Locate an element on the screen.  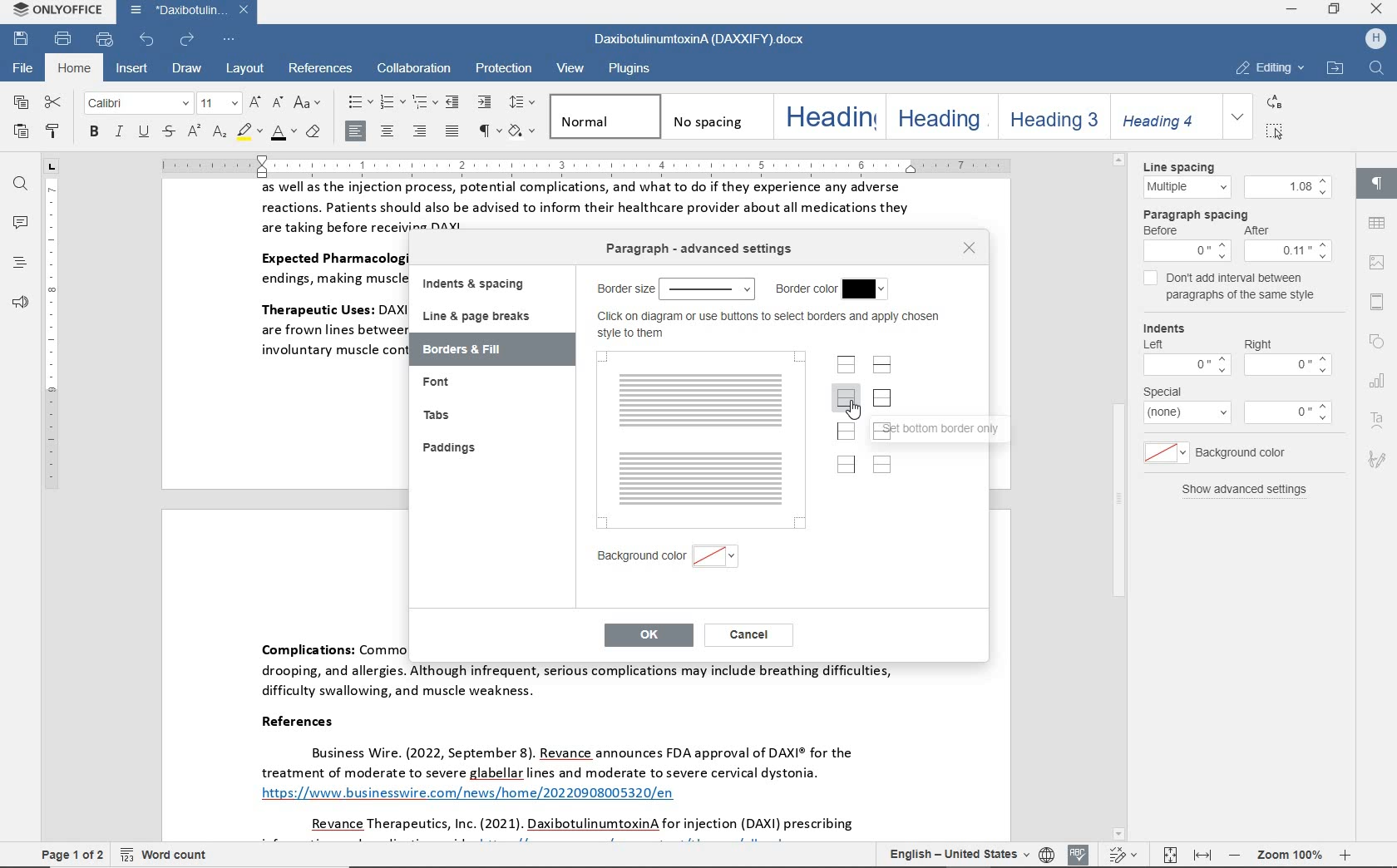
layout is located at coordinates (244, 69).